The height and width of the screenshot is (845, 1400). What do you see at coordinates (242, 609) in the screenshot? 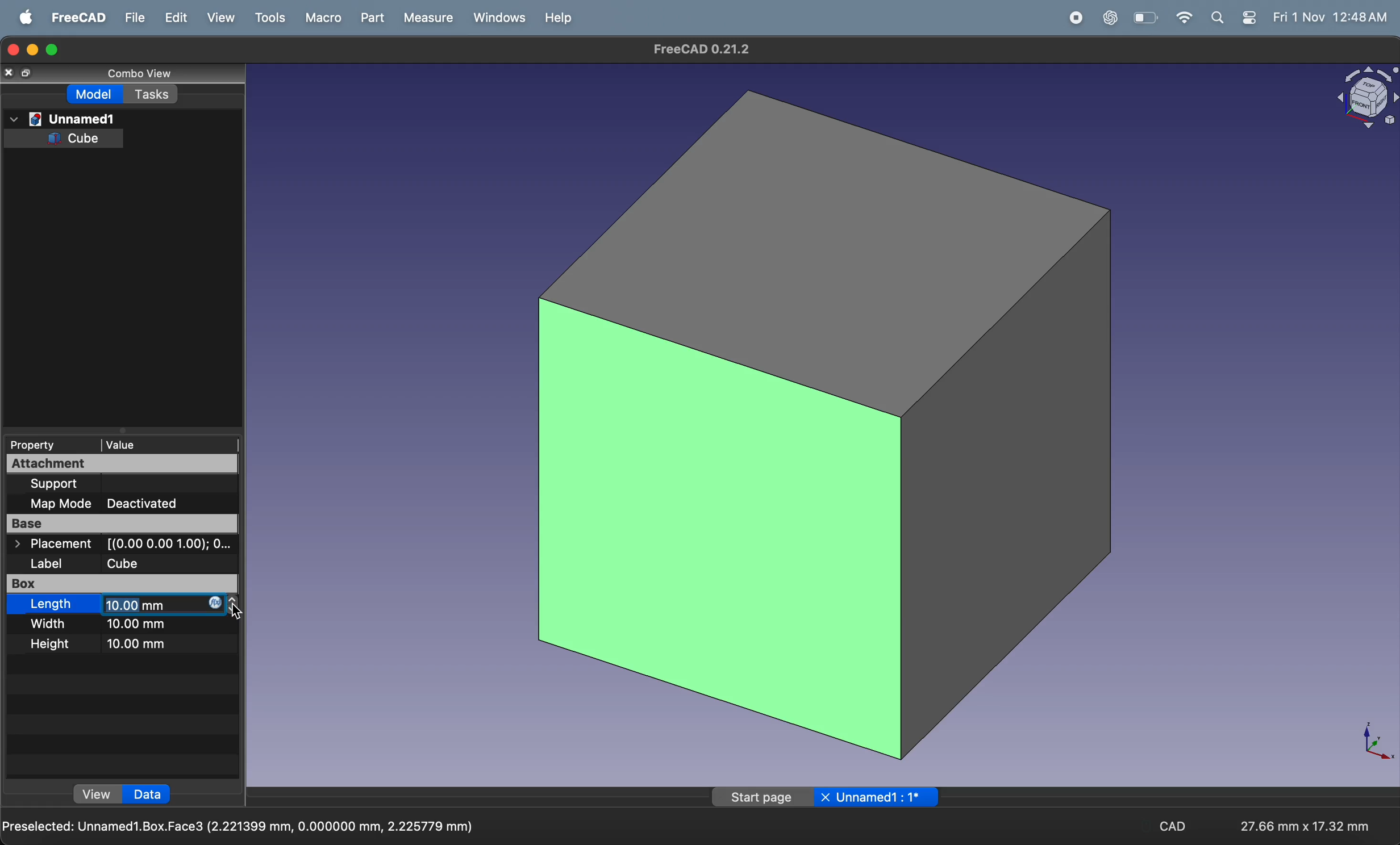
I see `cursor` at bounding box center [242, 609].